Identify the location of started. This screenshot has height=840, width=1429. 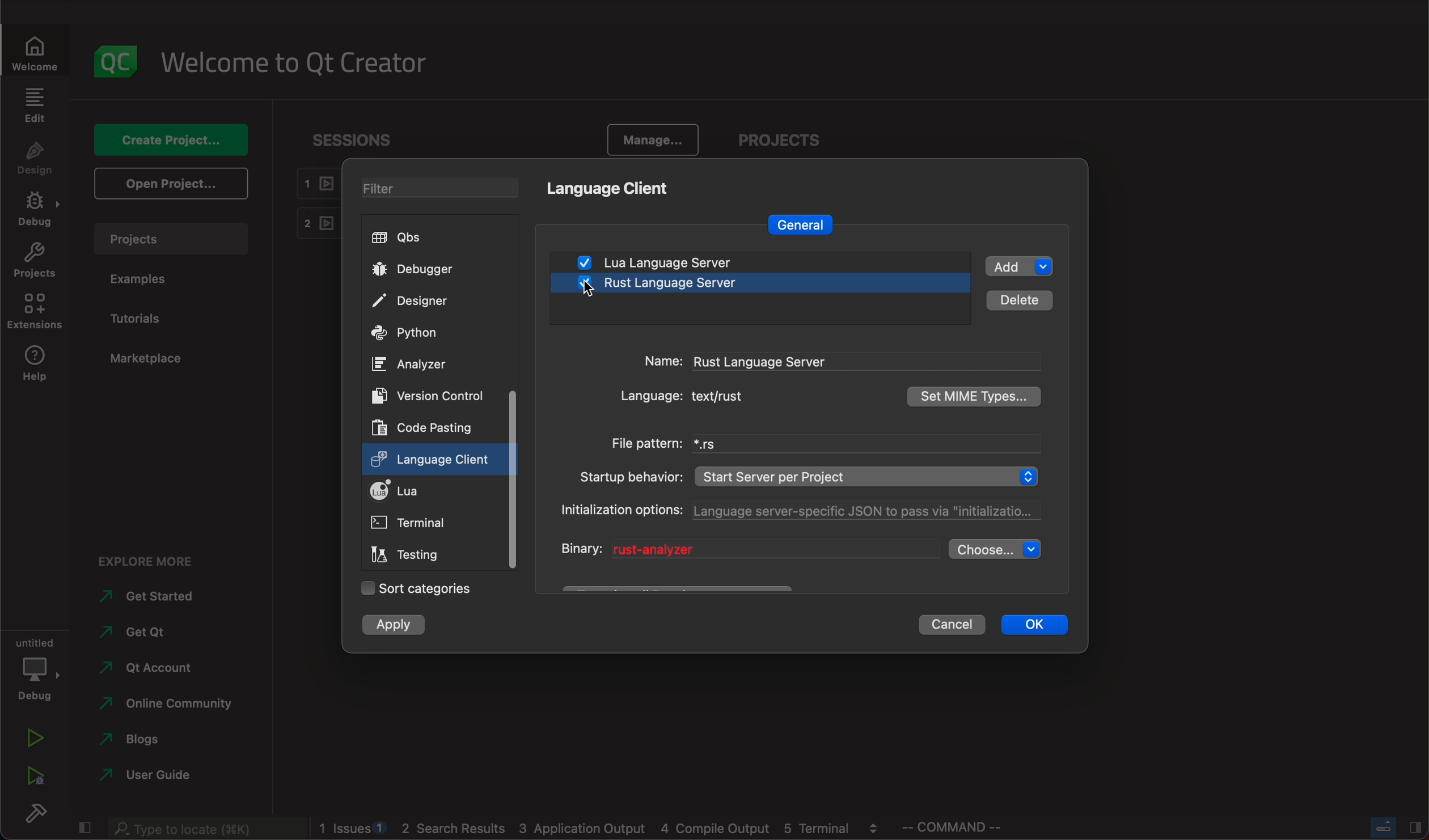
(147, 600).